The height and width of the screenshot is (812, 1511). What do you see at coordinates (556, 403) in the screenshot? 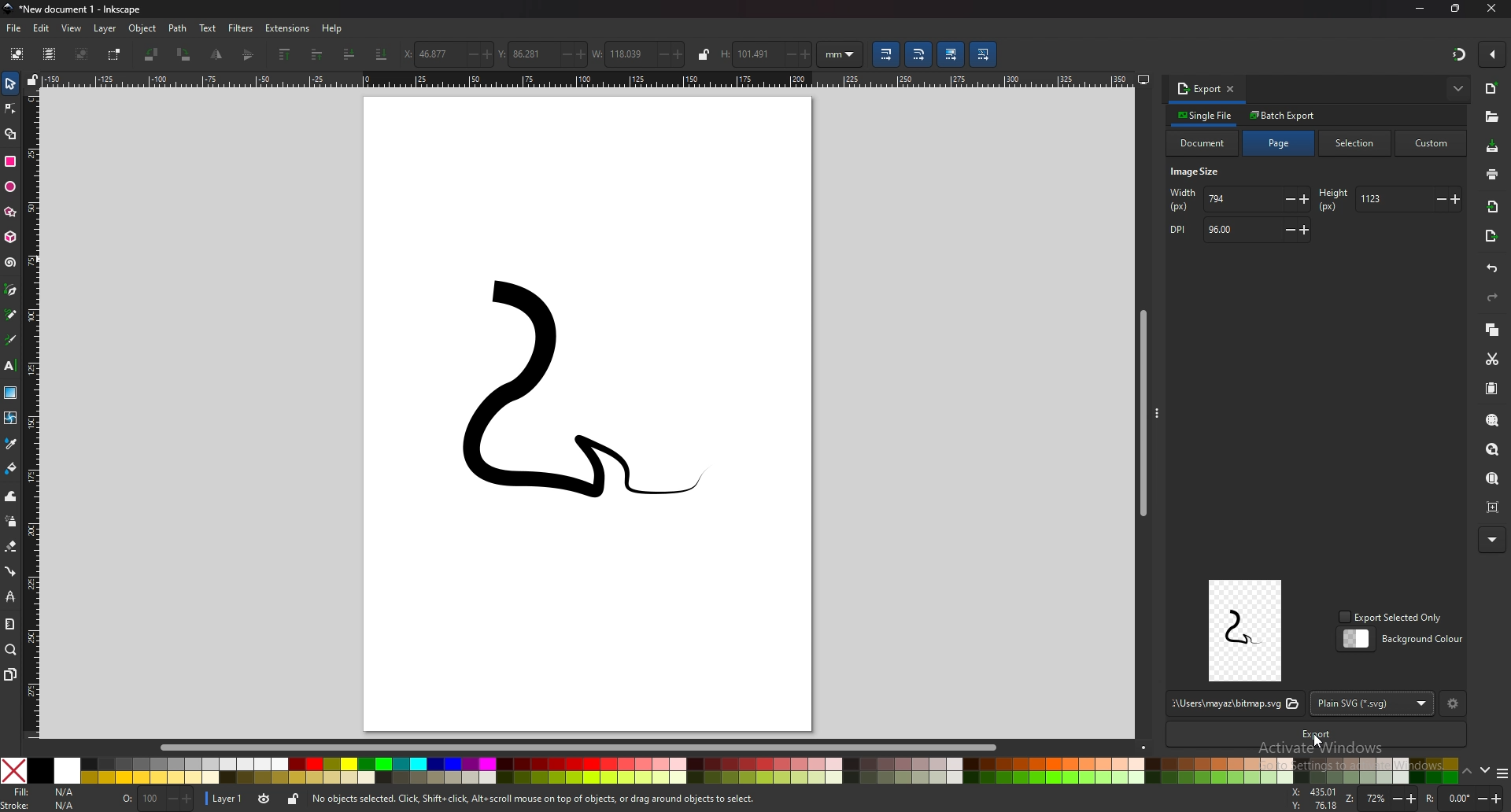
I see `drawing` at bounding box center [556, 403].